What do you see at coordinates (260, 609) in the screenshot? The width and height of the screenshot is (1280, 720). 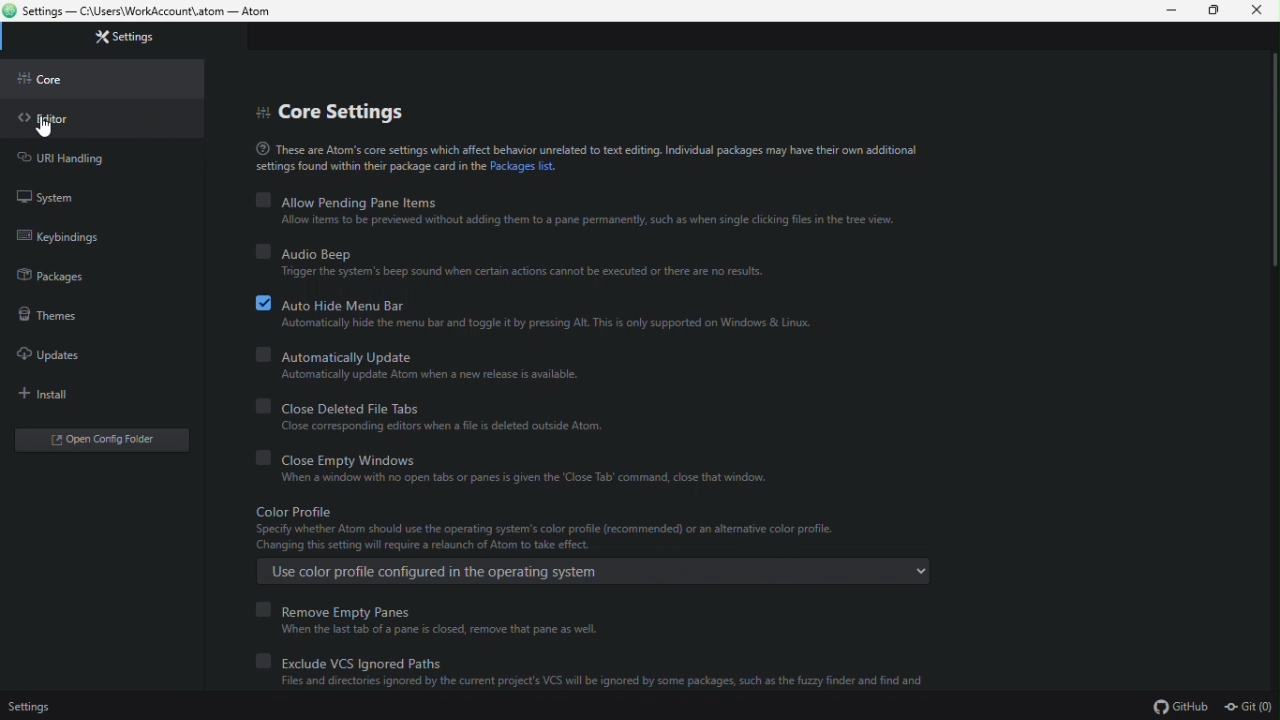 I see `off` at bounding box center [260, 609].